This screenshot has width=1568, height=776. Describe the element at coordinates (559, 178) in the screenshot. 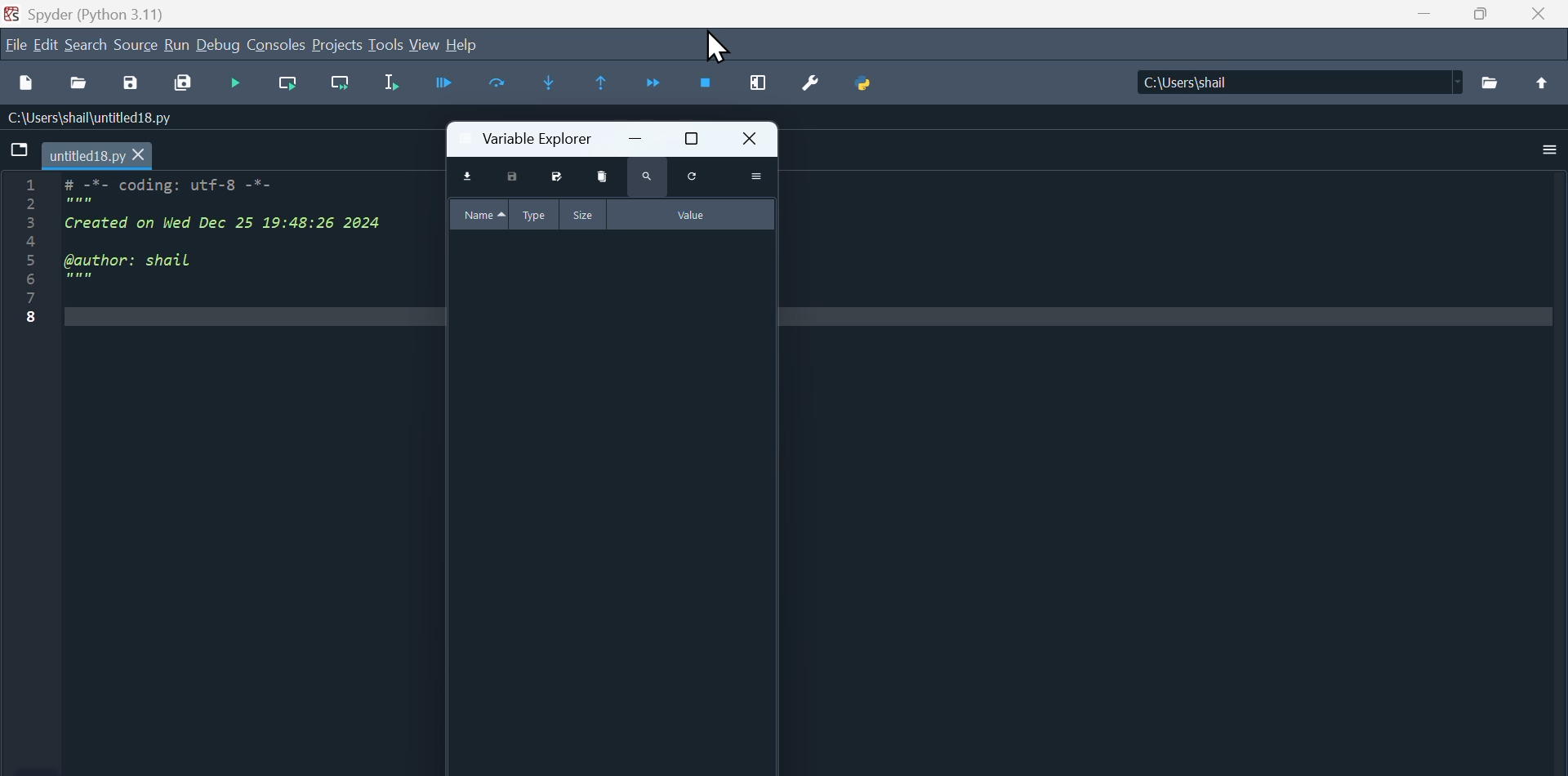

I see `save all ` at that location.